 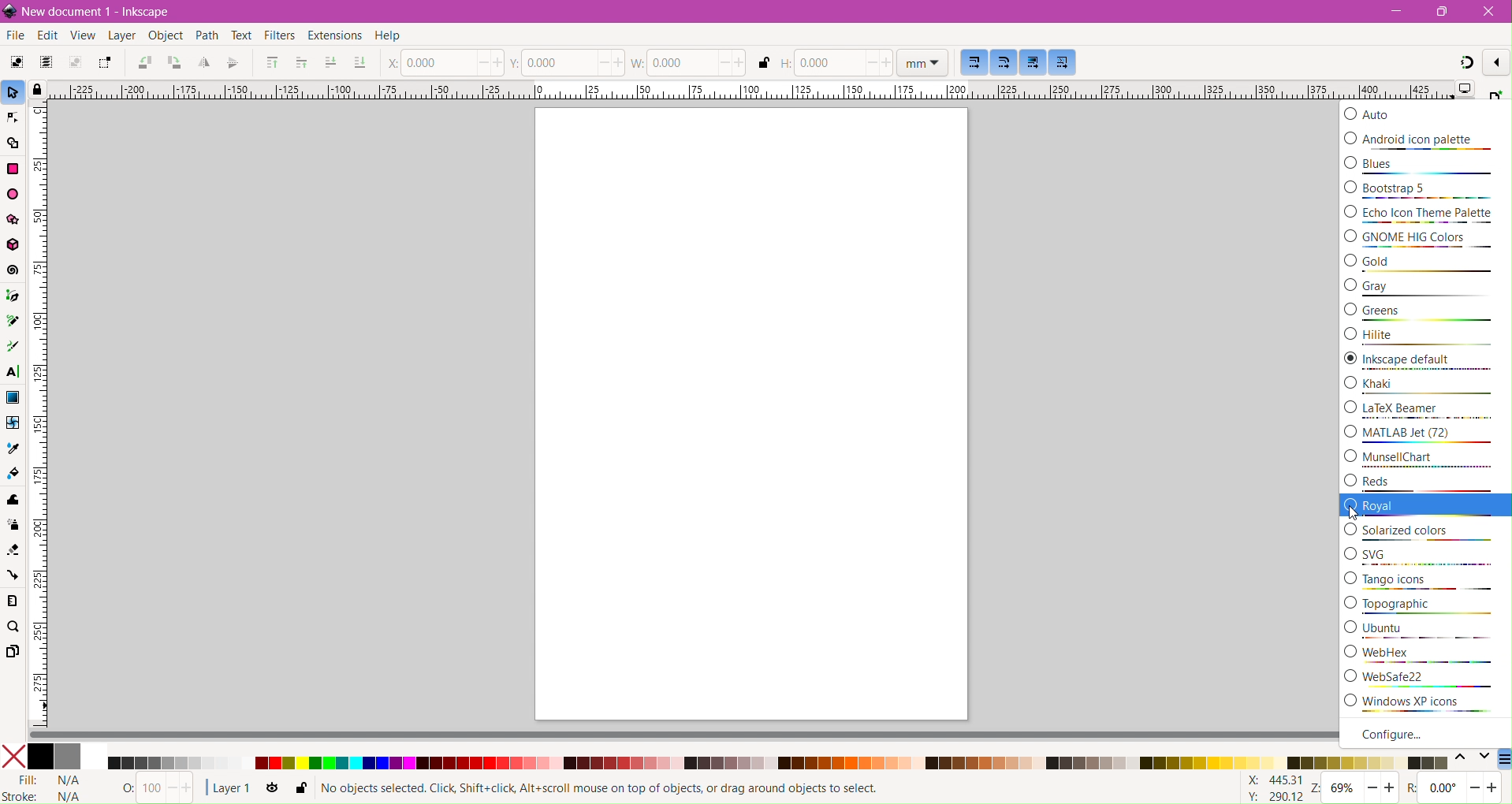 What do you see at coordinates (52, 780) in the screenshot?
I see `Fill Status` at bounding box center [52, 780].